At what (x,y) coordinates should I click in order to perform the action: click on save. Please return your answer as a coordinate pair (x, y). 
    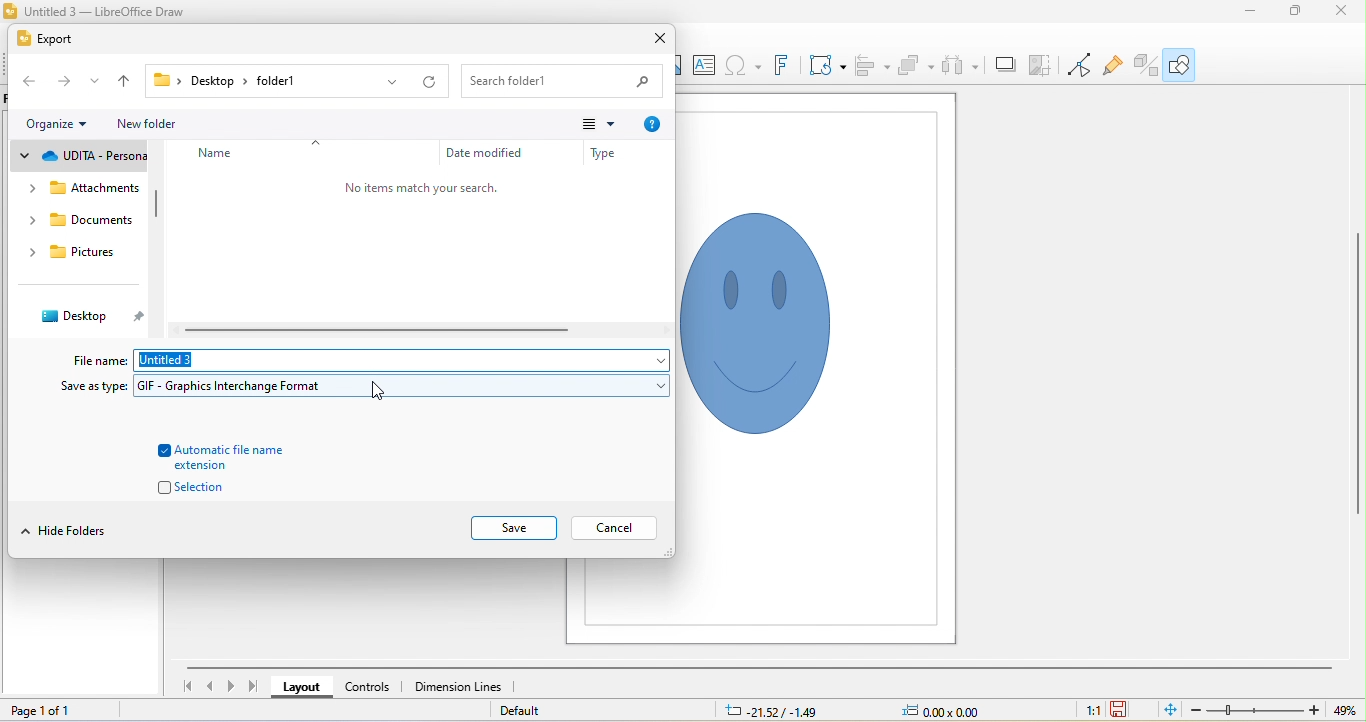
    Looking at the image, I should click on (515, 527).